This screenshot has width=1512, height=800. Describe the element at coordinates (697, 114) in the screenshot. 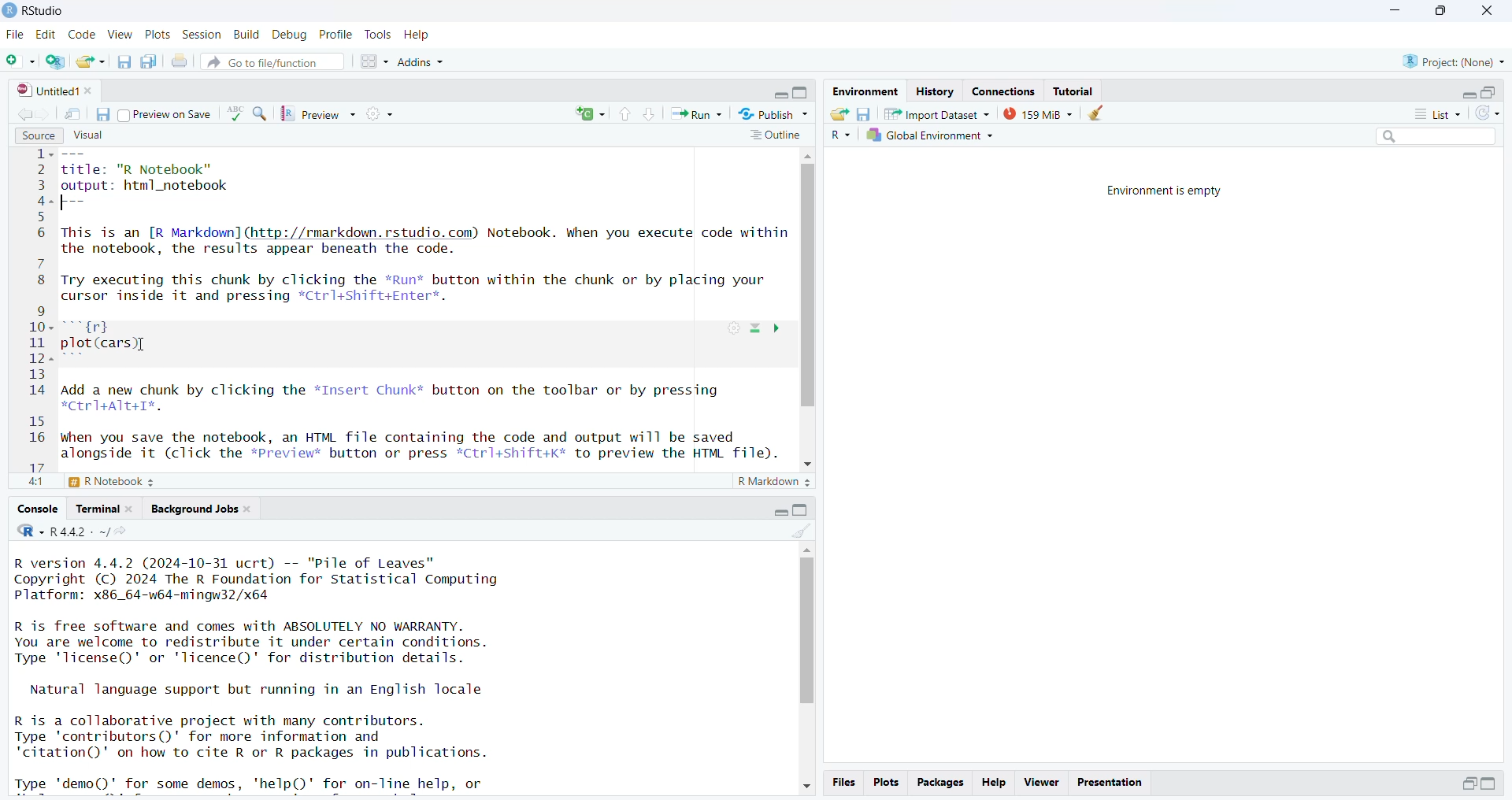

I see `run` at that location.